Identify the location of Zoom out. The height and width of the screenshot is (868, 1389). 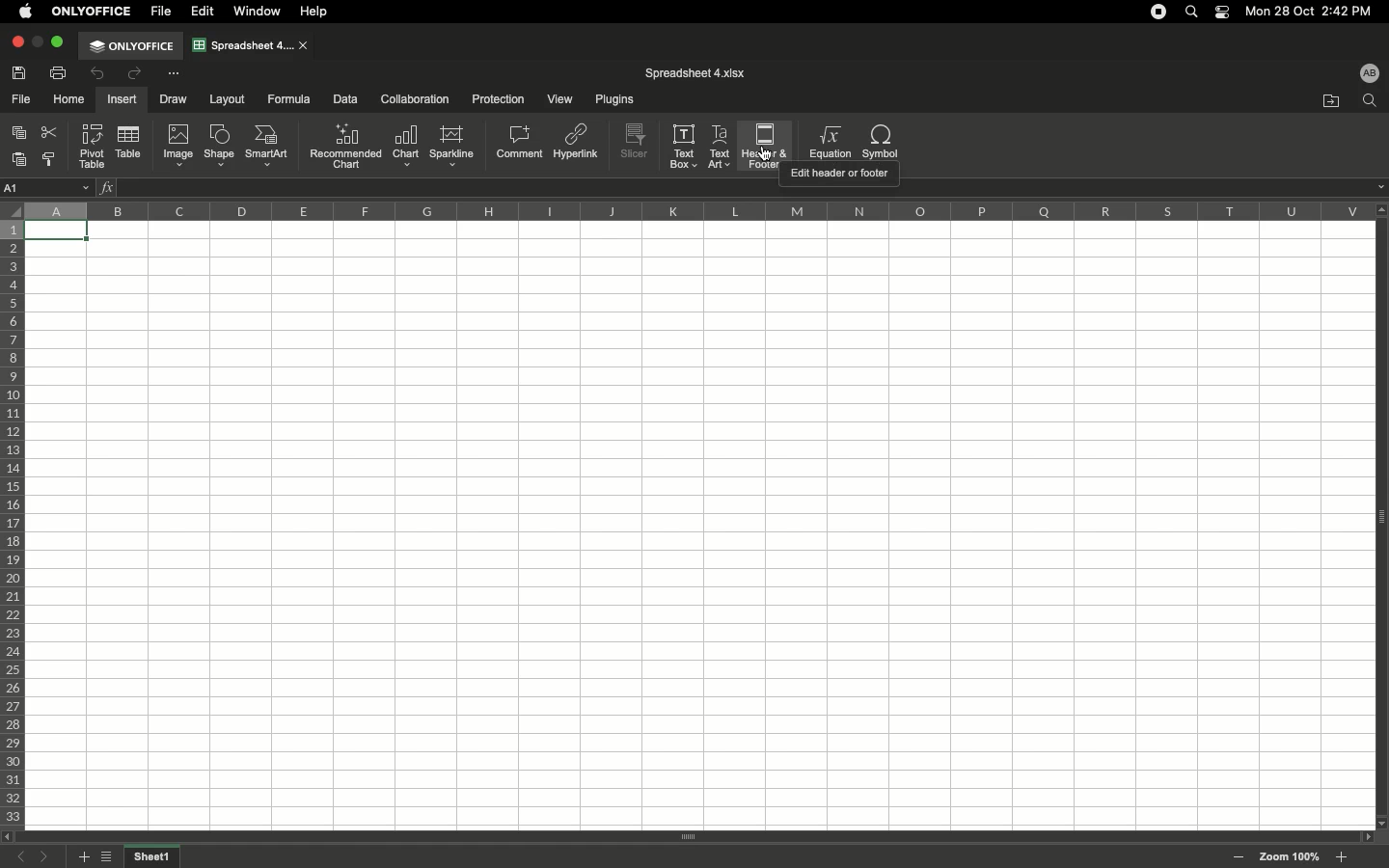
(1239, 858).